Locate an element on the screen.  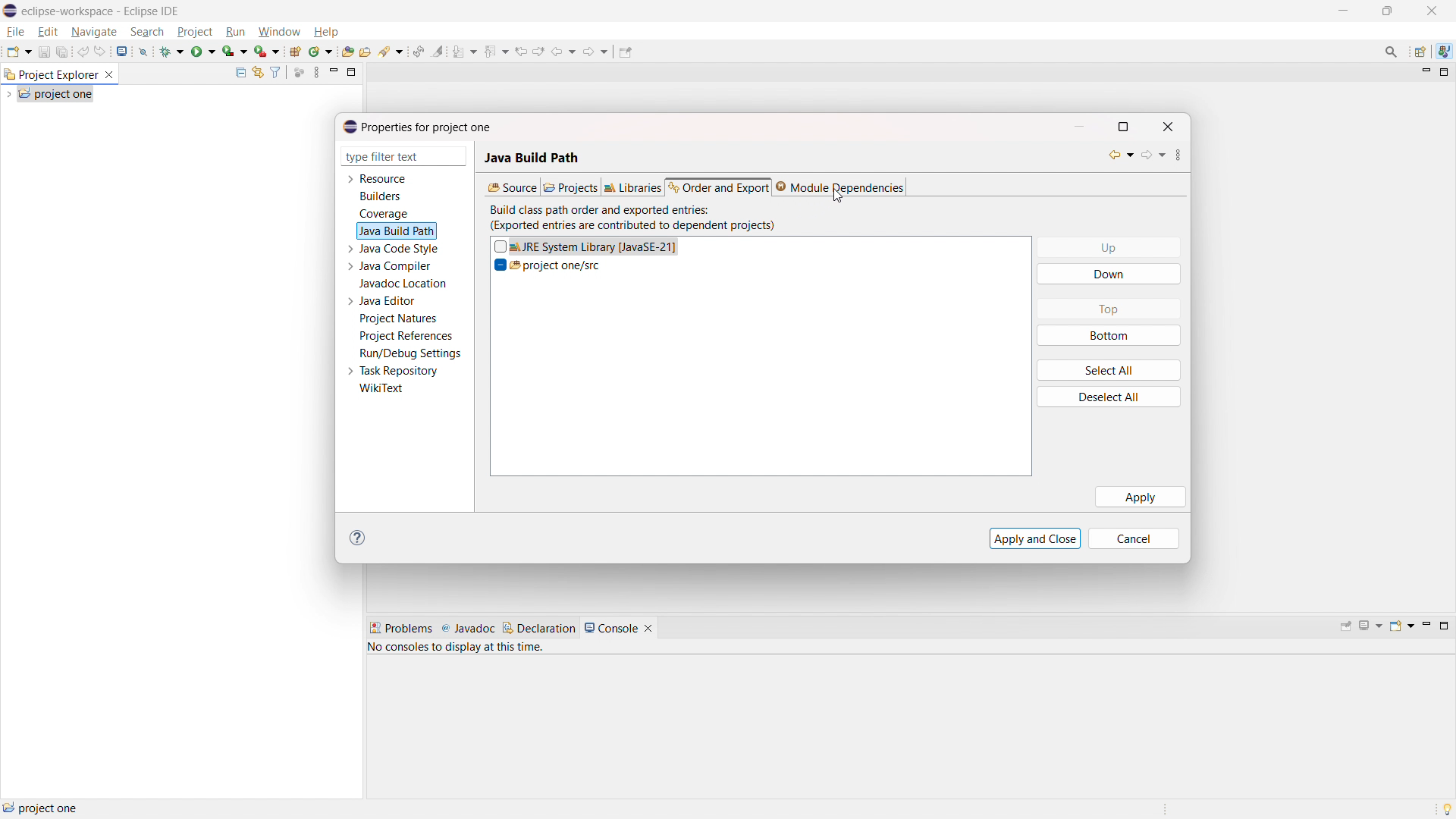
order and export is located at coordinates (720, 187).